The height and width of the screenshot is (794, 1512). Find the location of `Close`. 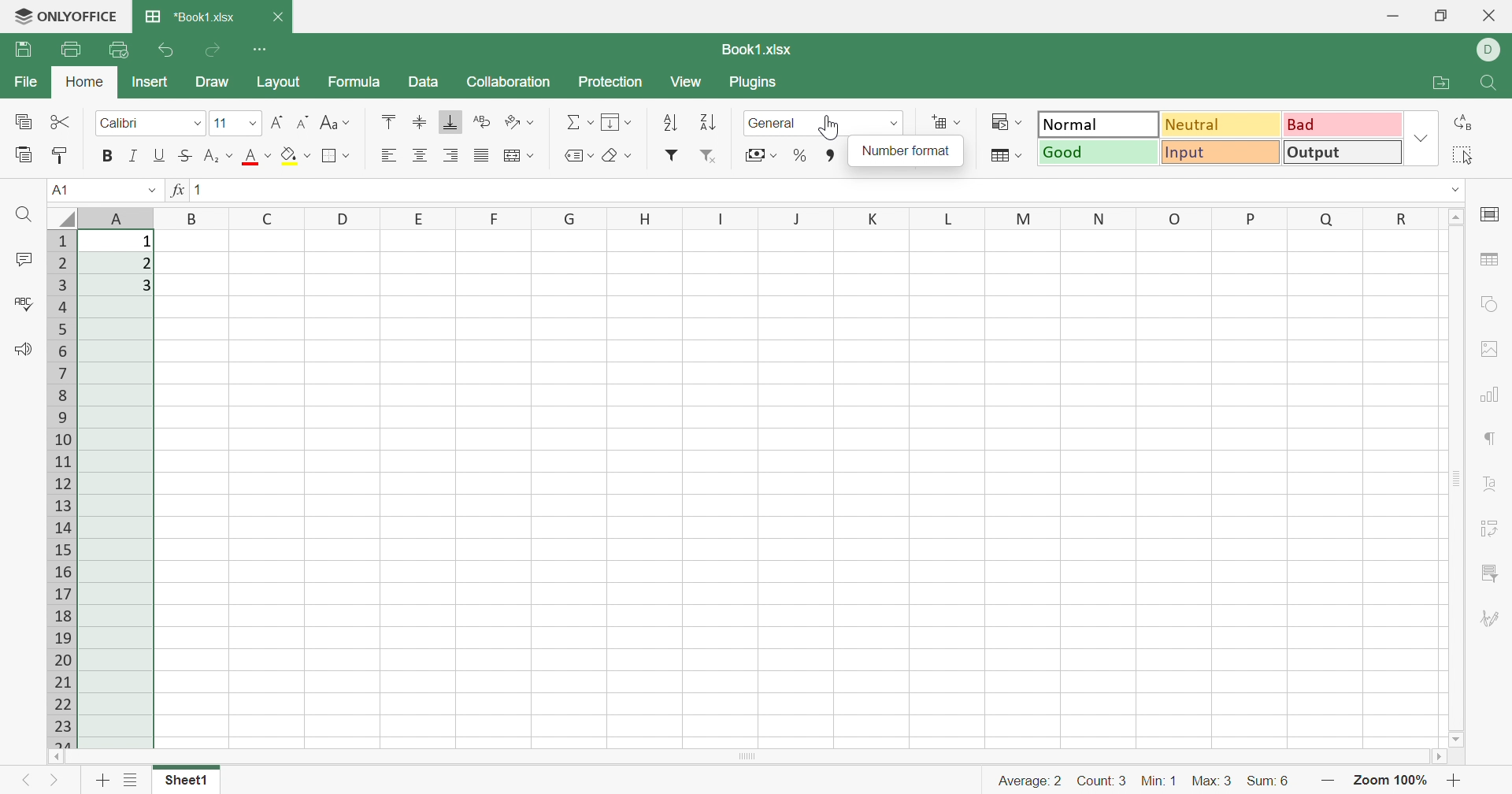

Close is located at coordinates (1491, 15).